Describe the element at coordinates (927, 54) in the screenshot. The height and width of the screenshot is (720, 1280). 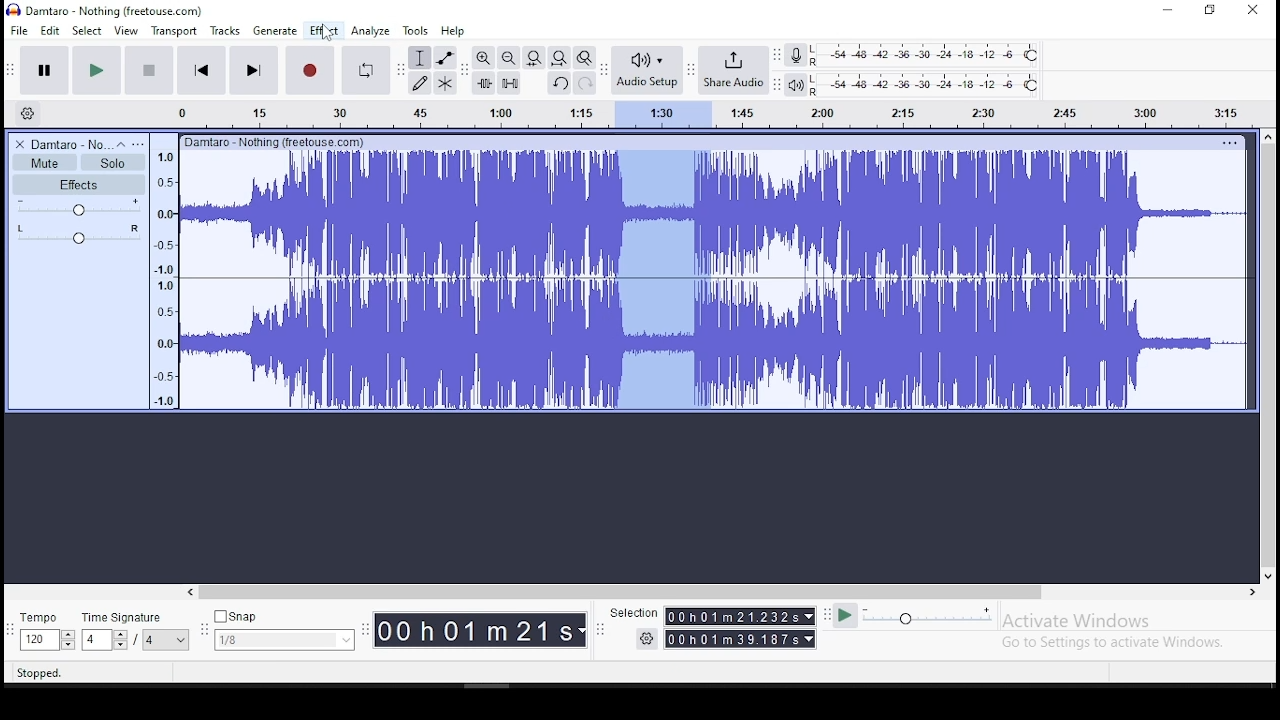
I see `recording level` at that location.